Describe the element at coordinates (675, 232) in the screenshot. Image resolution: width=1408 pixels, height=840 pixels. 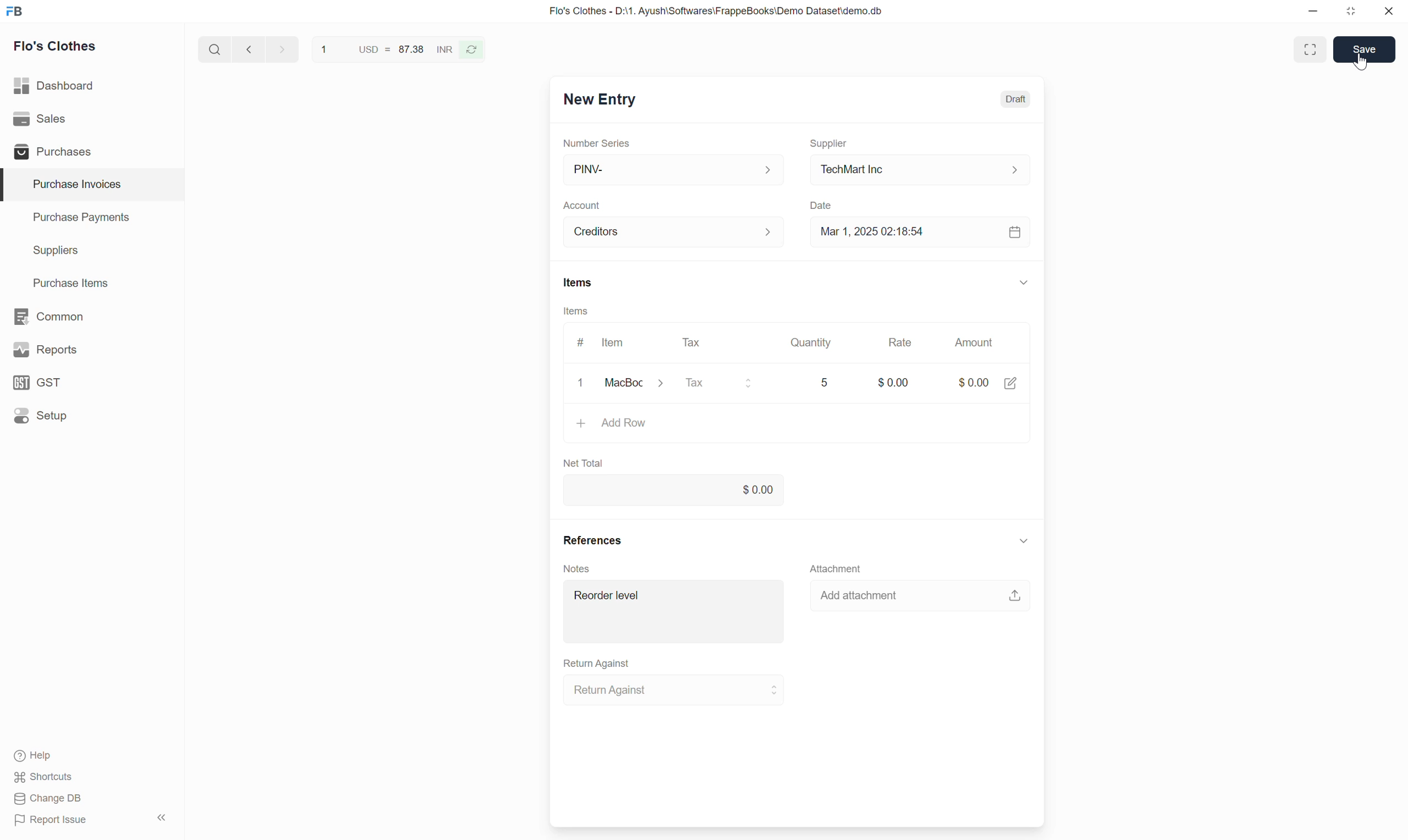
I see `Creditors` at that location.